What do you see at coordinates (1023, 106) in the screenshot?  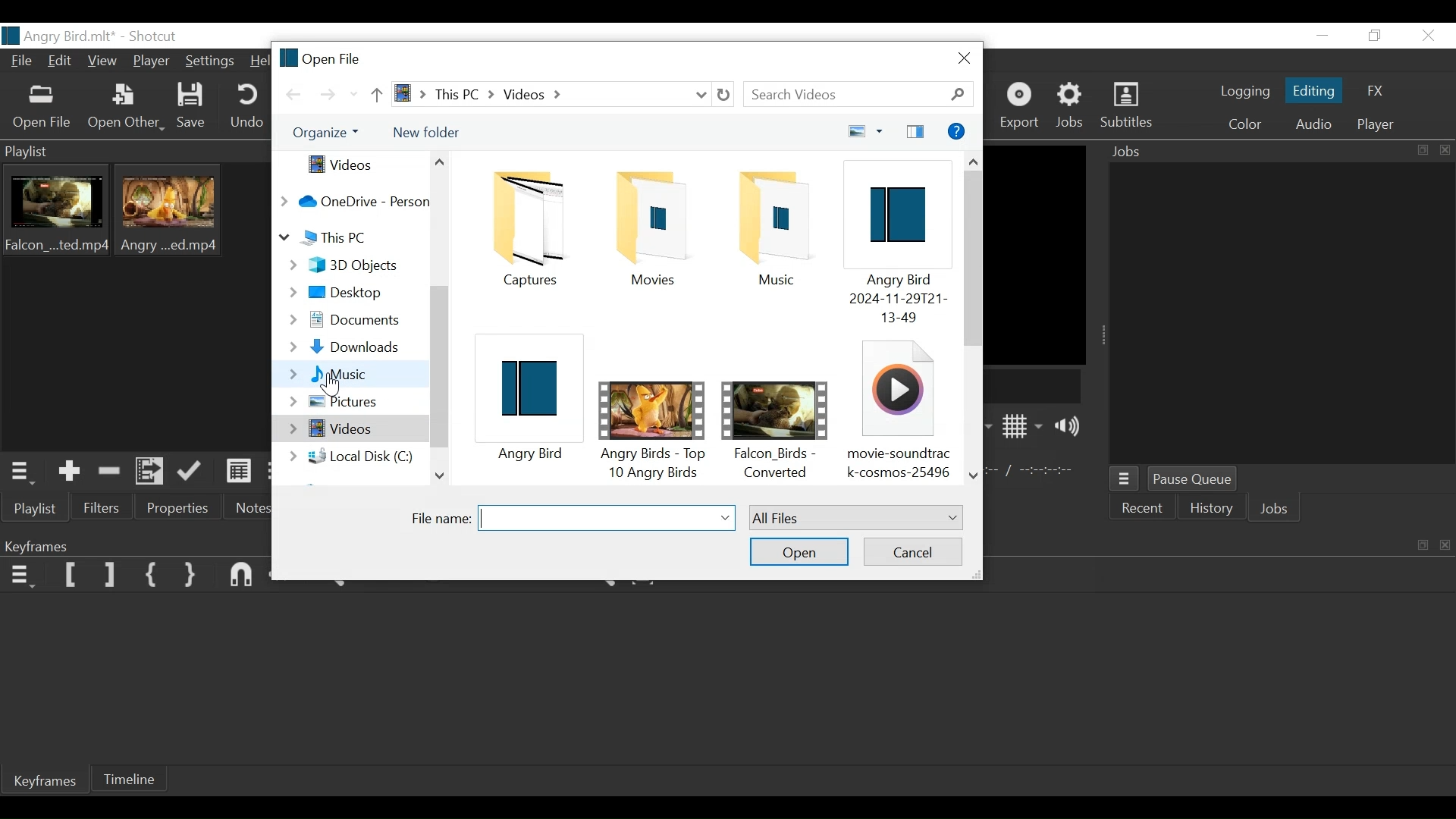 I see `Export` at bounding box center [1023, 106].